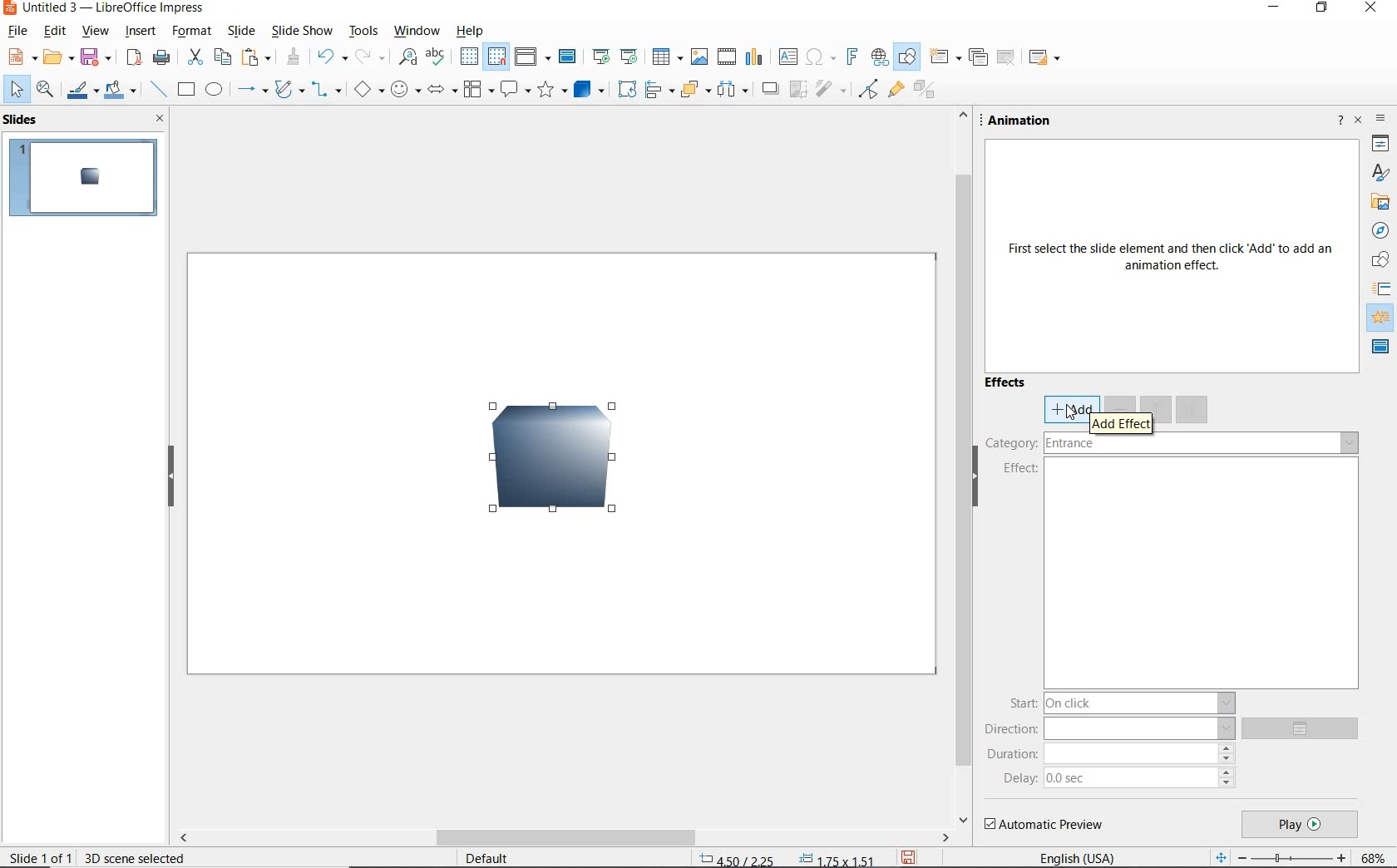  Describe the element at coordinates (477, 91) in the screenshot. I see `flowchart` at that location.